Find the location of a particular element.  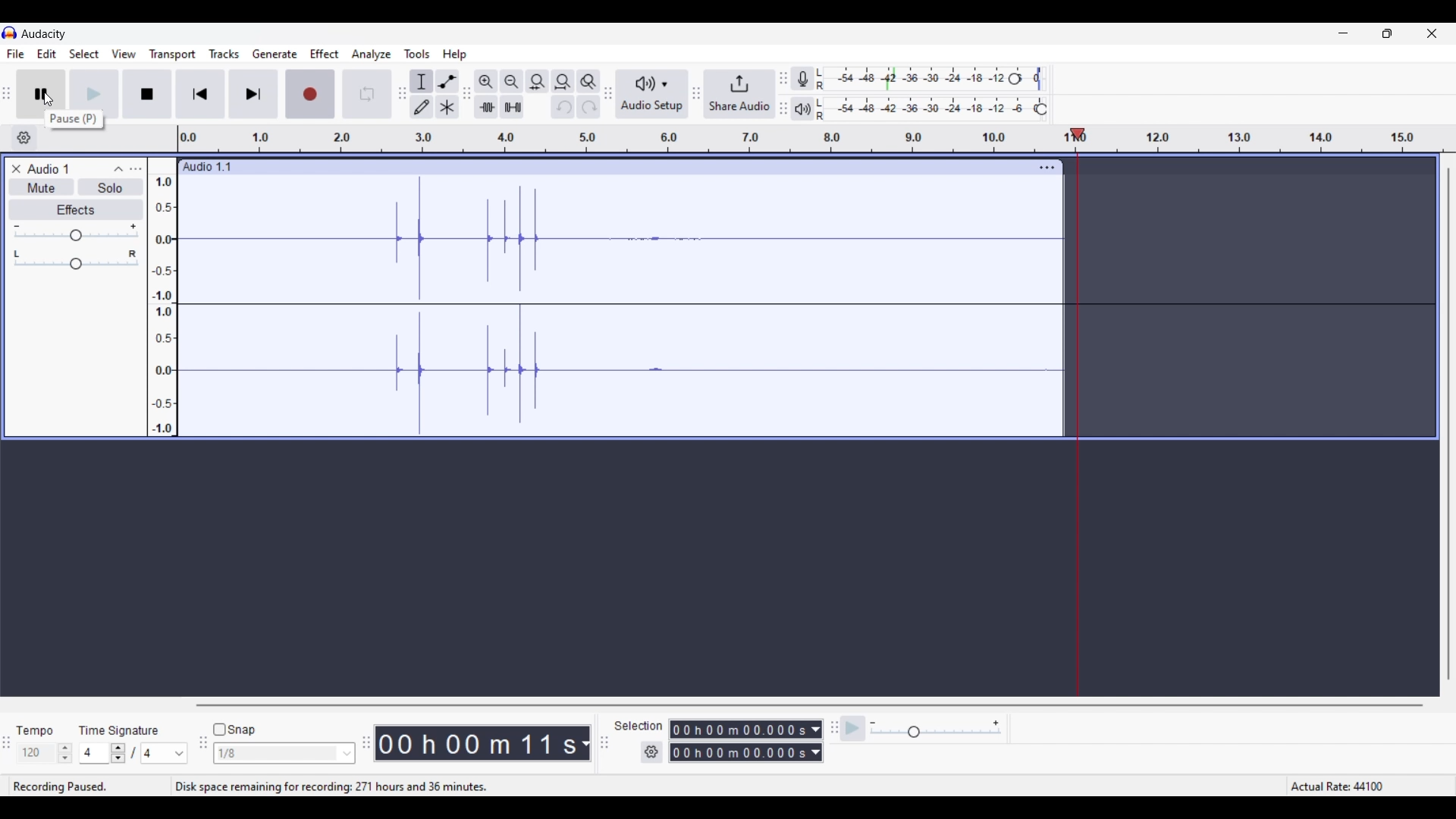

Slider to change playback speed is located at coordinates (936, 733).